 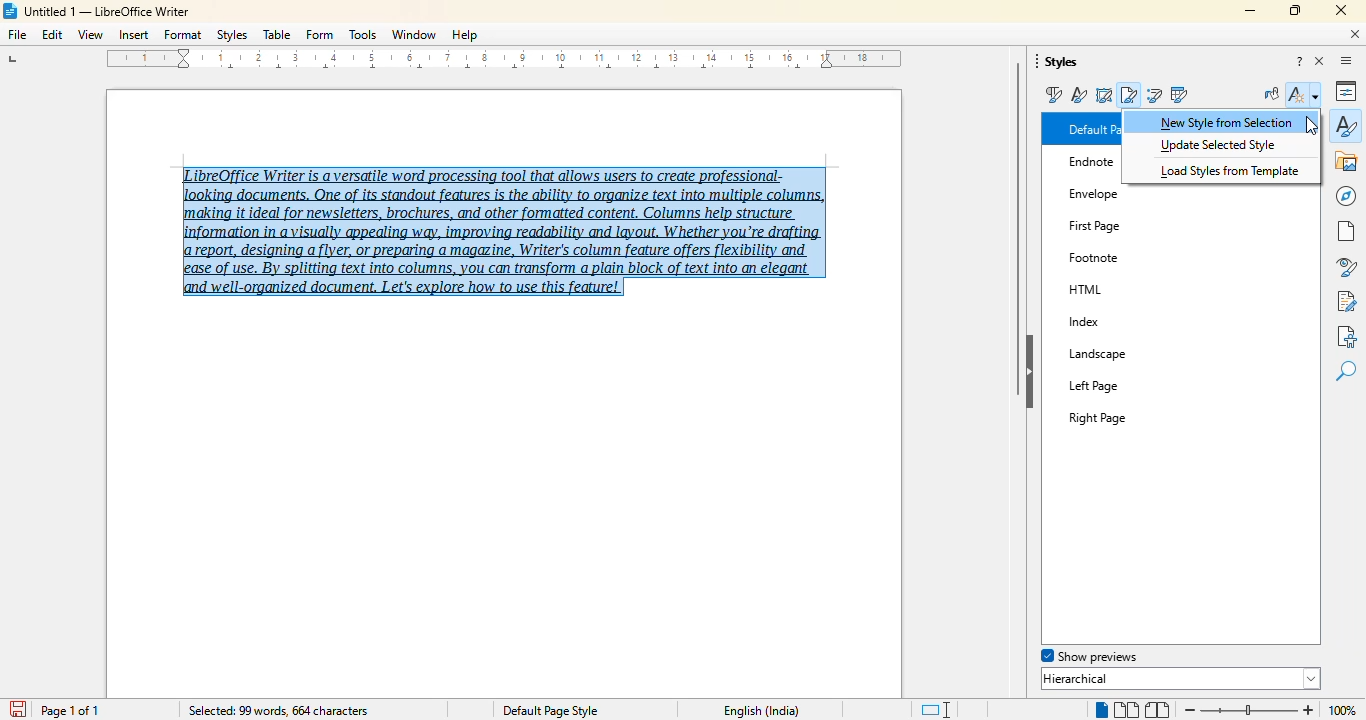 I want to click on hide, so click(x=1031, y=371).